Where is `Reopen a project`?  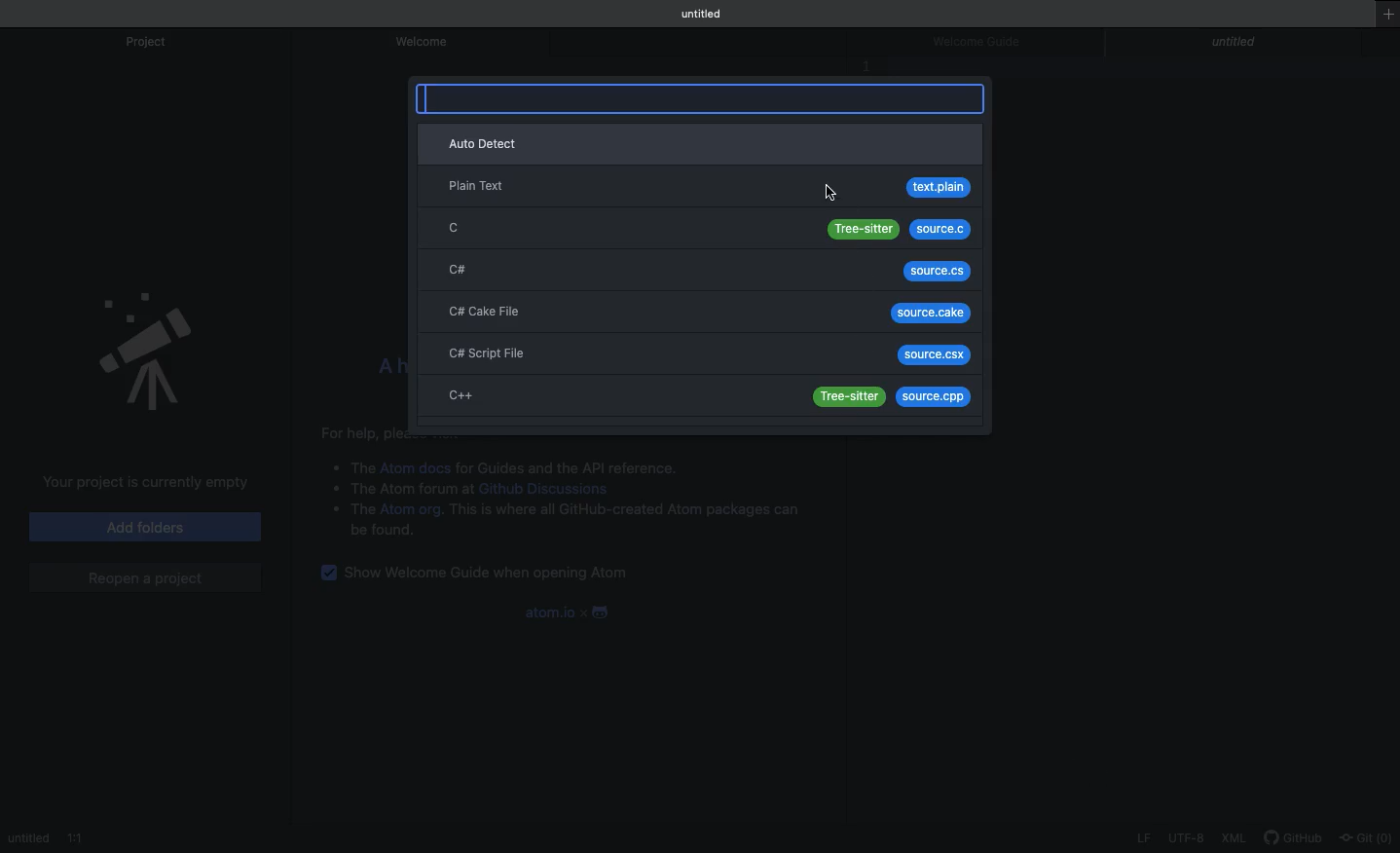
Reopen a project is located at coordinates (148, 576).